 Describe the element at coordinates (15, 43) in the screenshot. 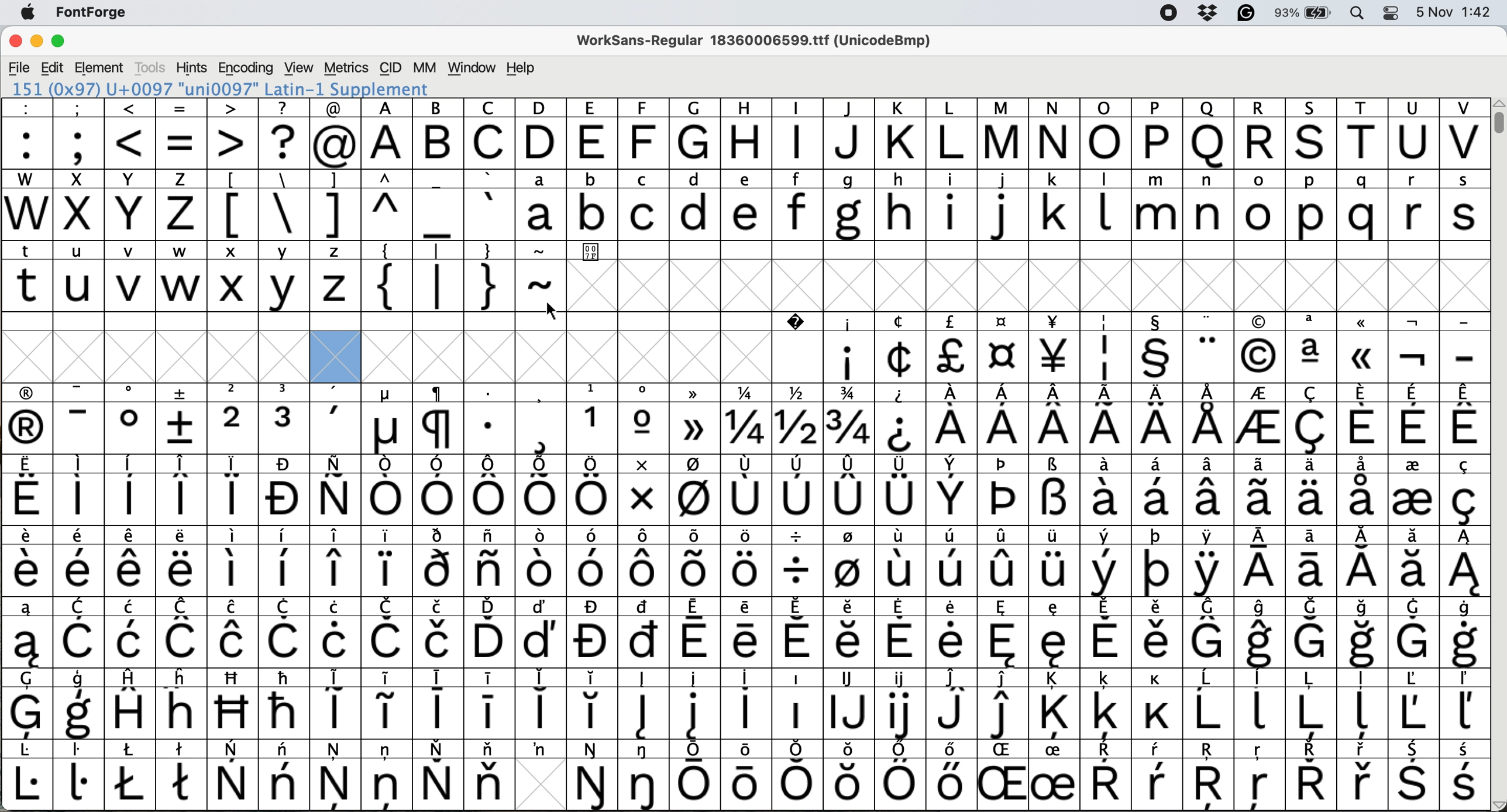

I see `close` at that location.